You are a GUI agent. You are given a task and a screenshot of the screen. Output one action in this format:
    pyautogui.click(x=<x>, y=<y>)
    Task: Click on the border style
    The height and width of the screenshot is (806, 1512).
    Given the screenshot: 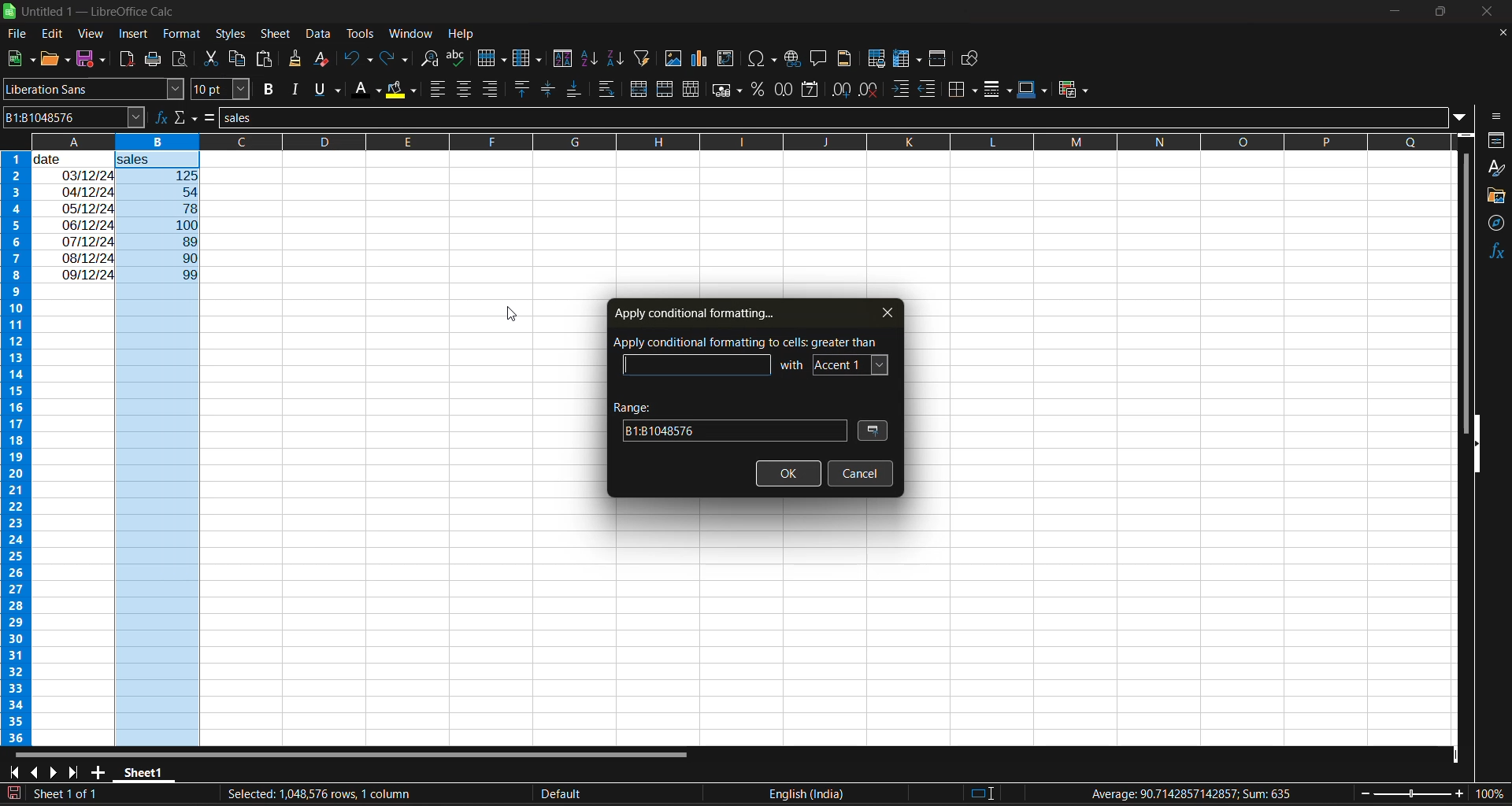 What is the action you would take?
    pyautogui.click(x=999, y=91)
    